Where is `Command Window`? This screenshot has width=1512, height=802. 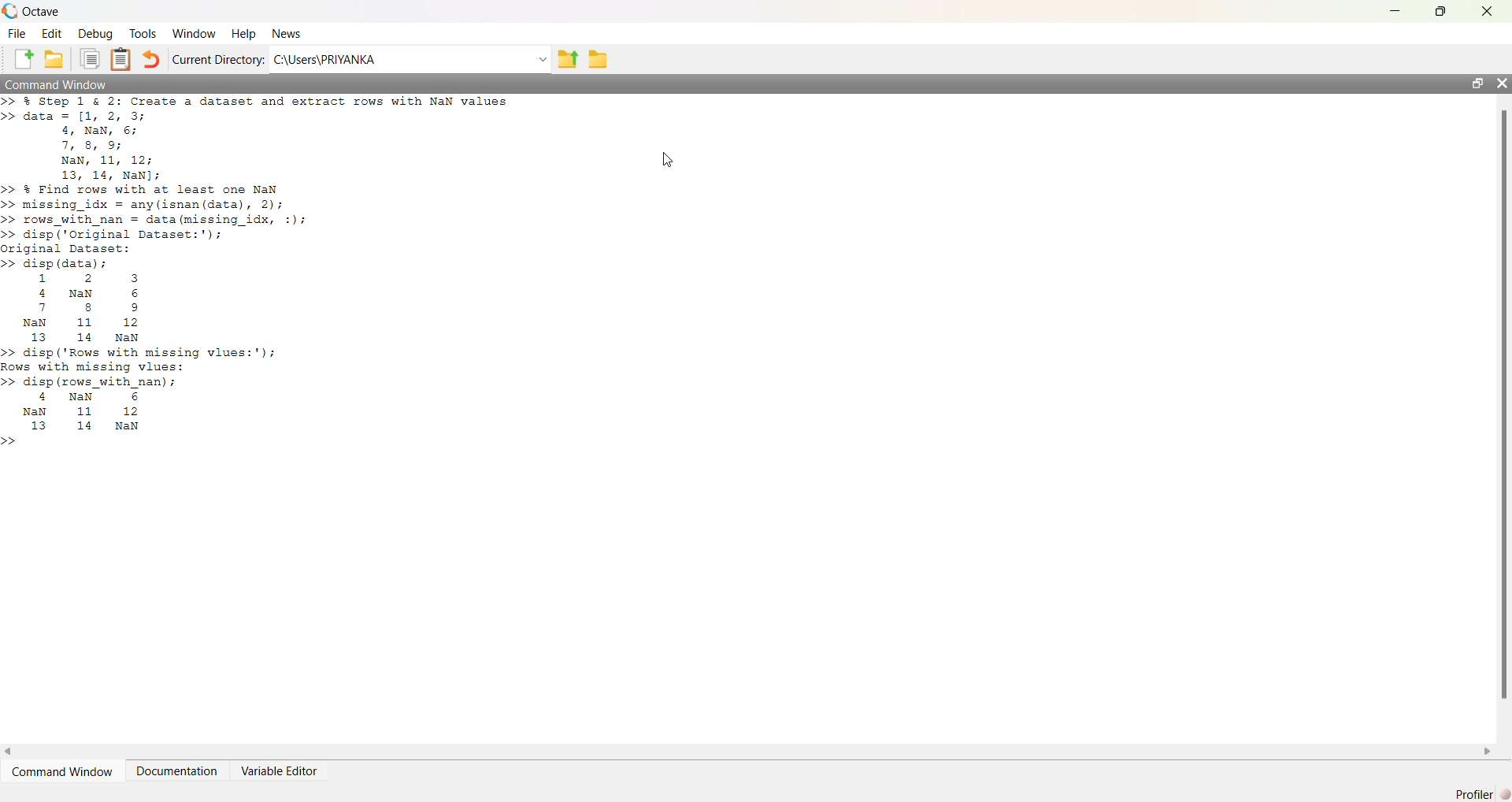
Command Window is located at coordinates (62, 772).